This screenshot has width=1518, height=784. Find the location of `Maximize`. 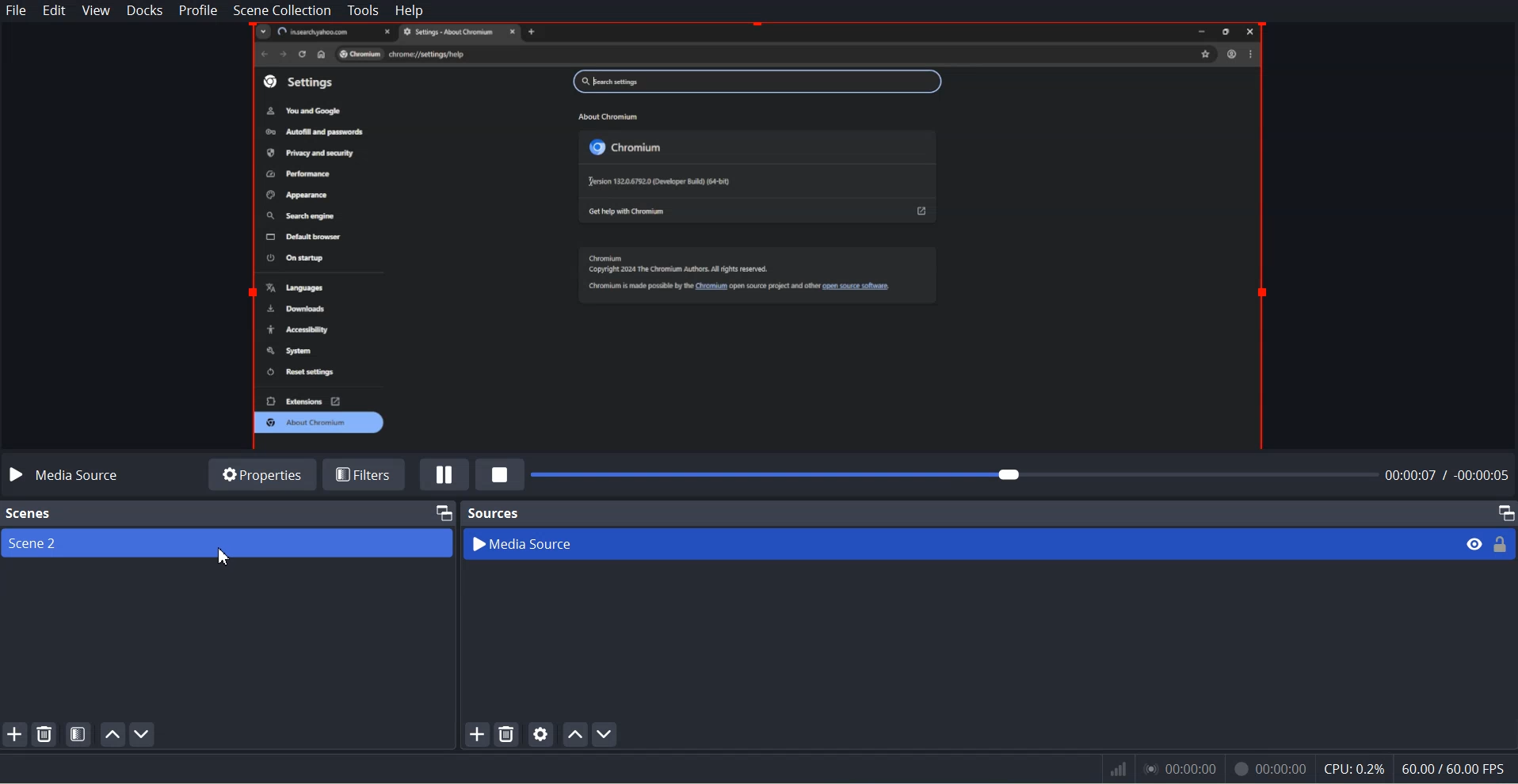

Maximize is located at coordinates (1505, 512).